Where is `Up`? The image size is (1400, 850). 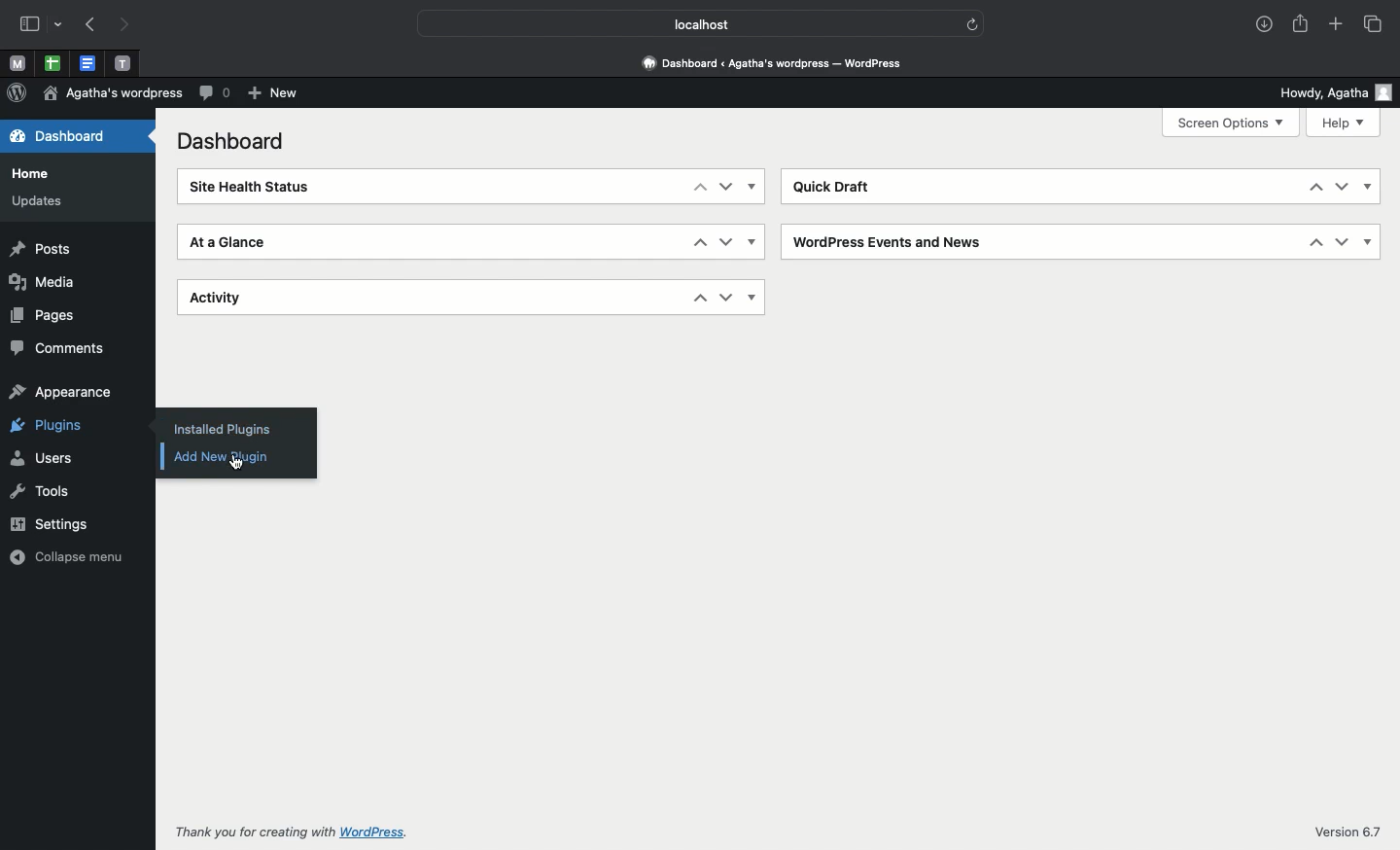 Up is located at coordinates (697, 297).